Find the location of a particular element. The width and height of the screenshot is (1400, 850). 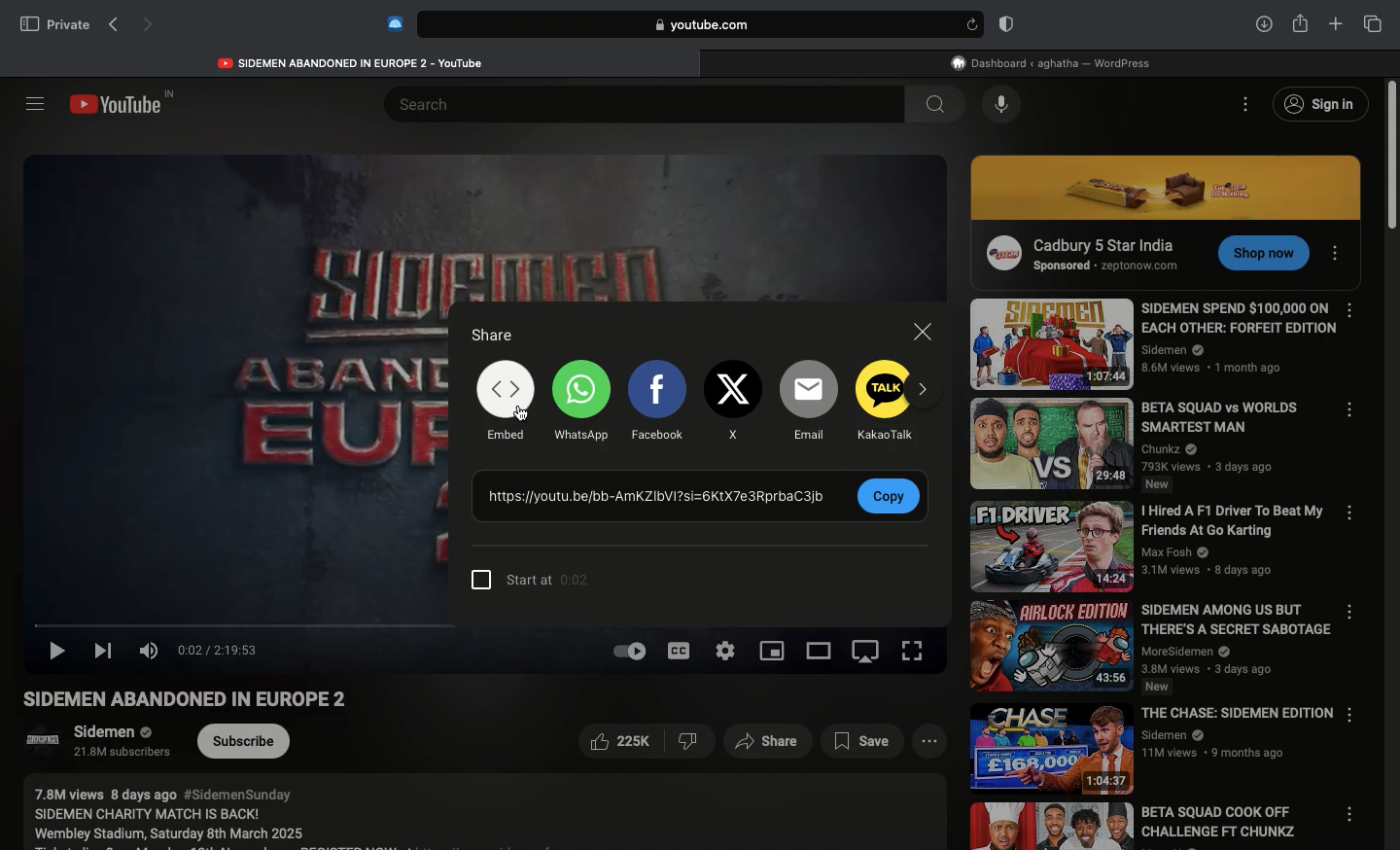

Share is located at coordinates (1300, 21).